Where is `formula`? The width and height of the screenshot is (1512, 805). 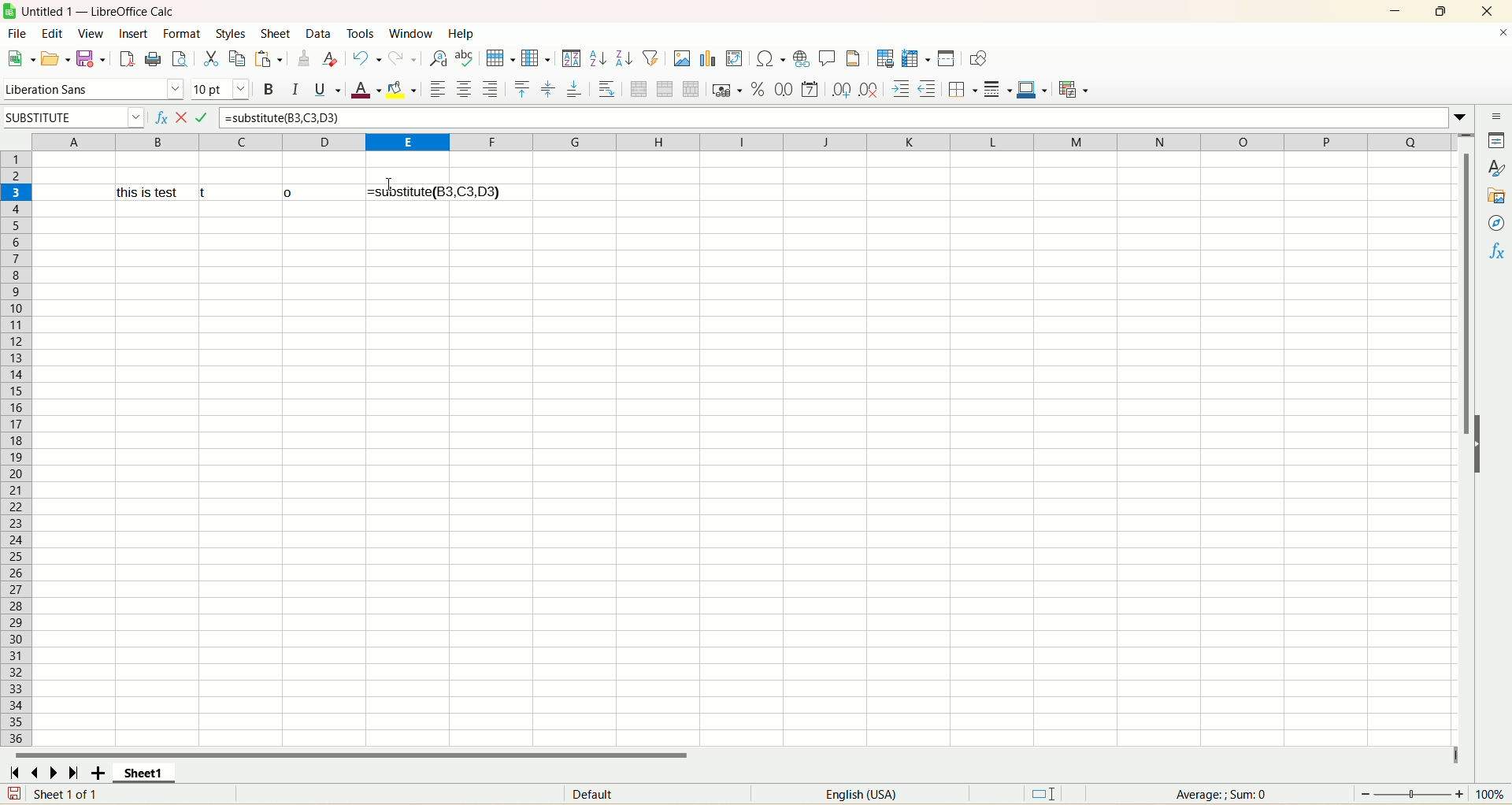
formula is located at coordinates (434, 191).